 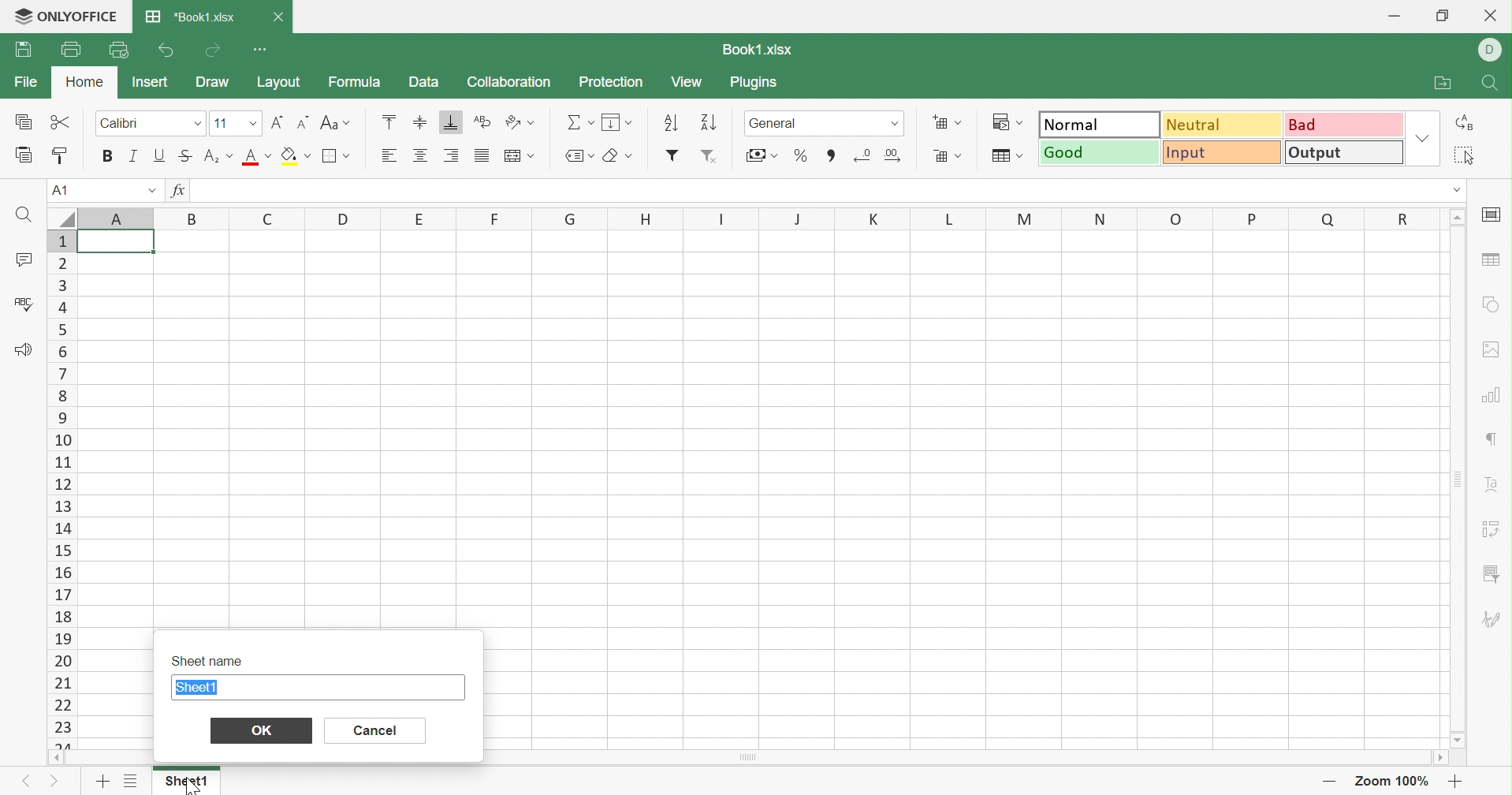 What do you see at coordinates (1222, 125) in the screenshot?
I see `Neutral` at bounding box center [1222, 125].